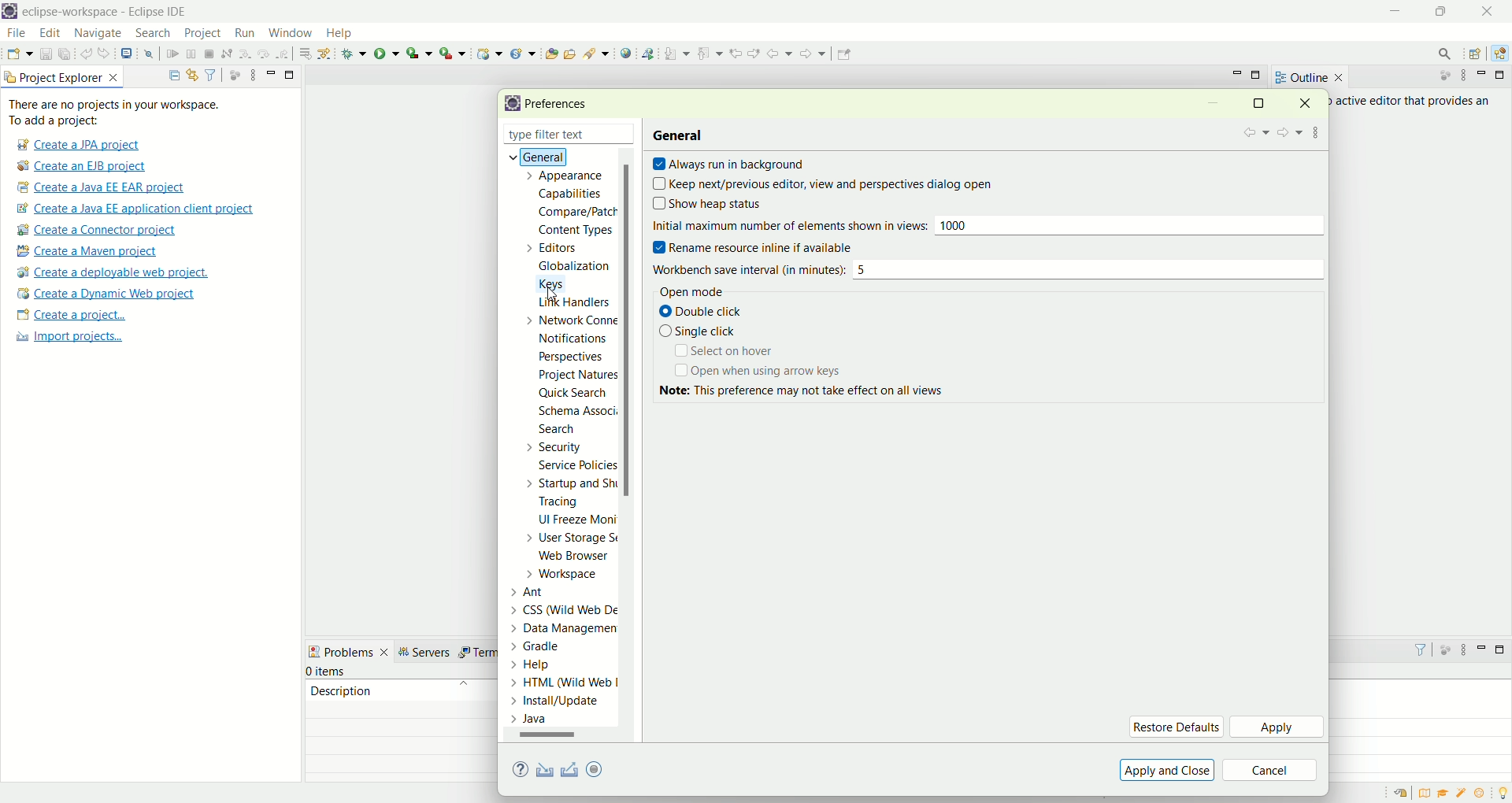 This screenshot has height=803, width=1512. Describe the element at coordinates (823, 185) in the screenshot. I see `keep next/previous editor, view and perspective dialog open` at that location.